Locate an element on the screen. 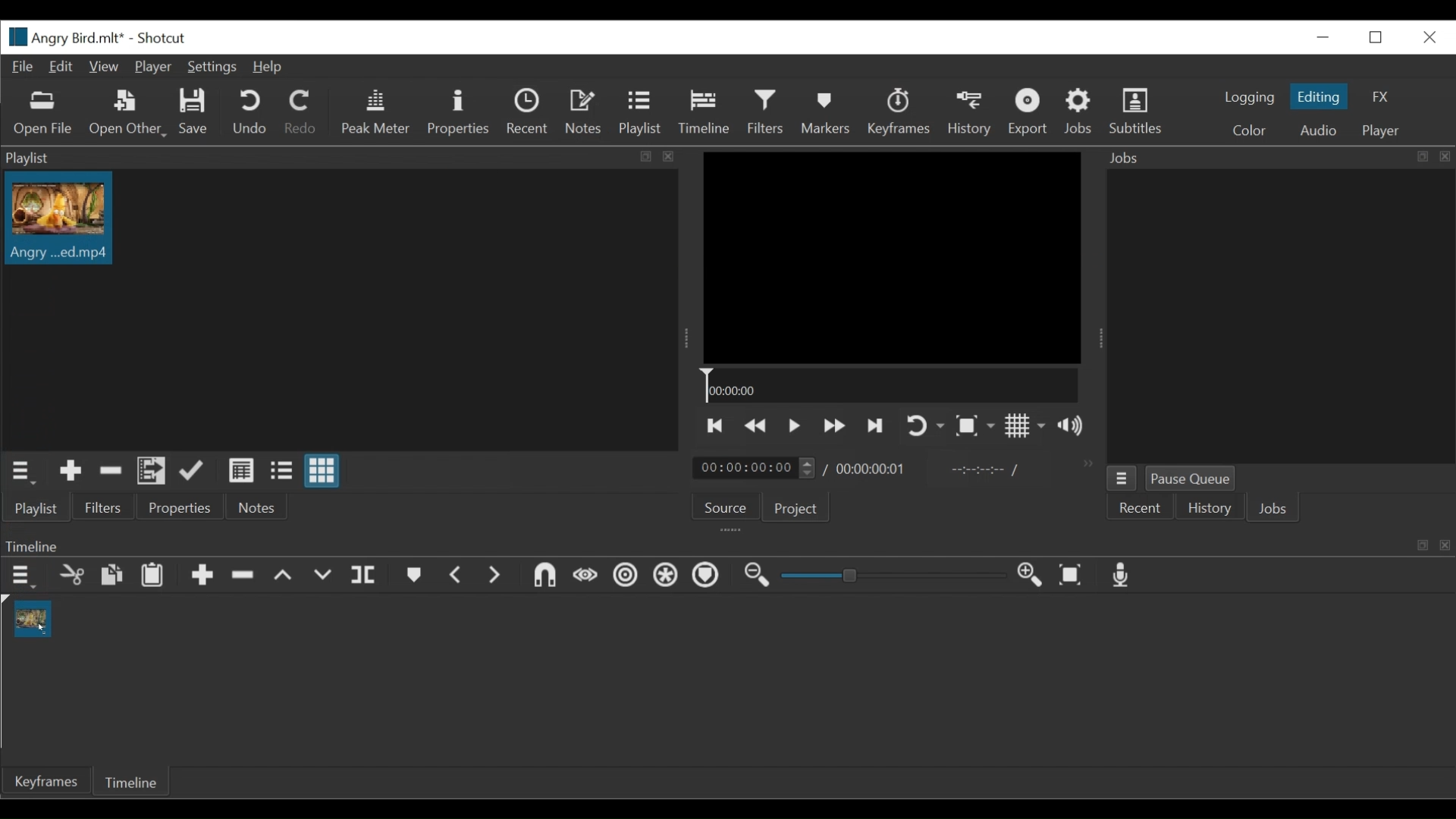  Editing is located at coordinates (1319, 96).